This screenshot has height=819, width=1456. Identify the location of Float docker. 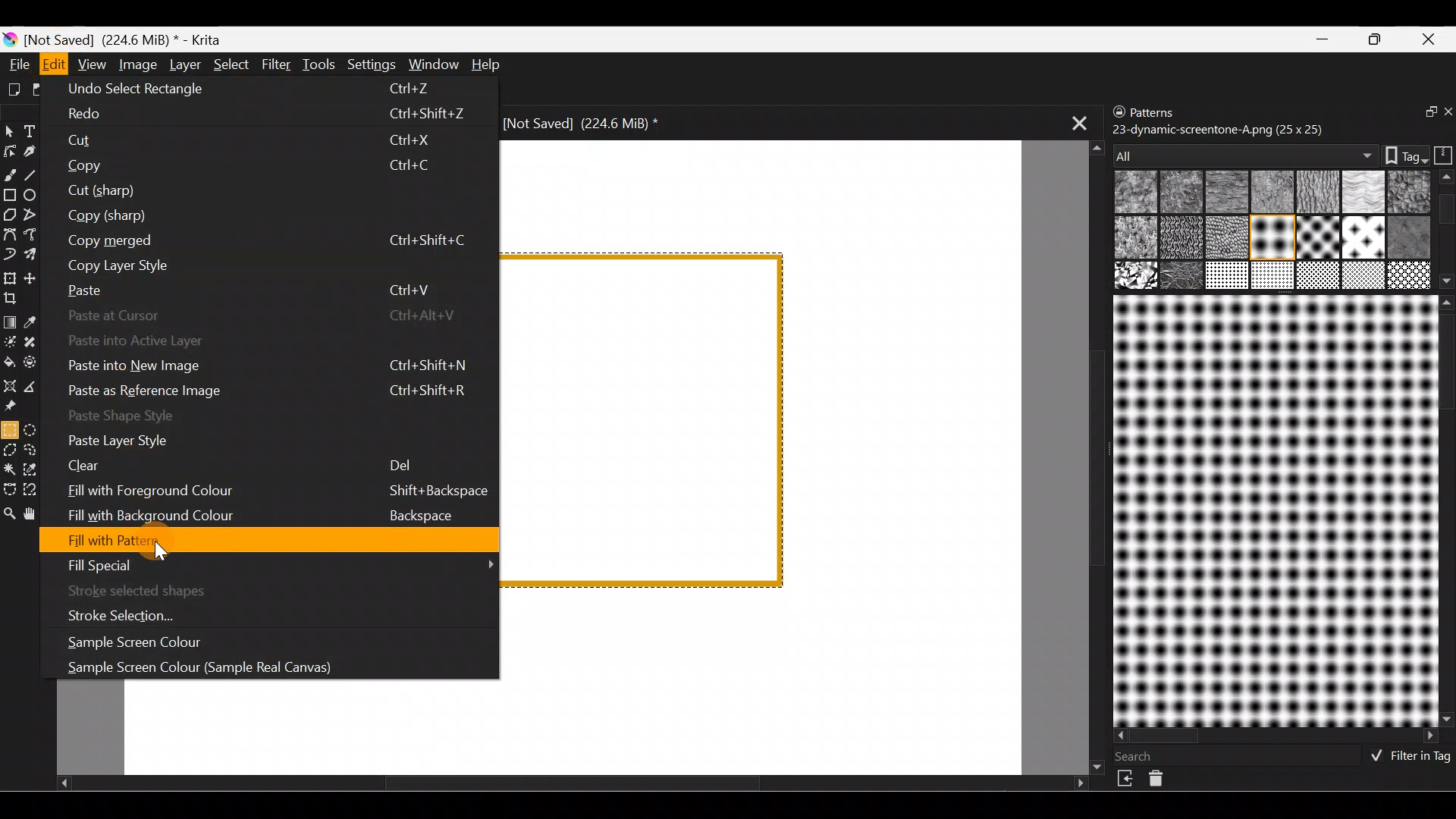
(1421, 113).